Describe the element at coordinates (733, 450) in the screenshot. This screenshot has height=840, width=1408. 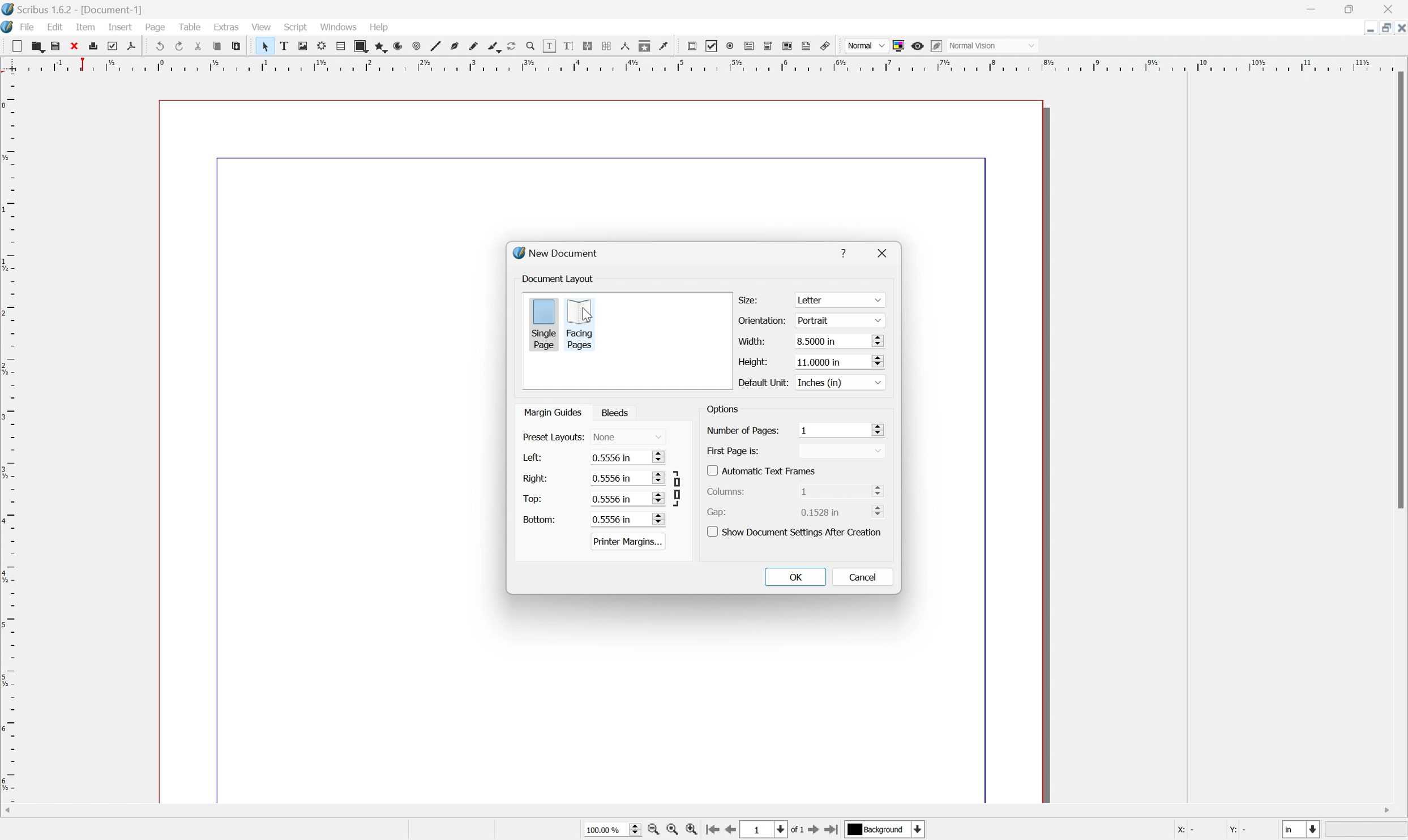
I see `first page is:` at that location.